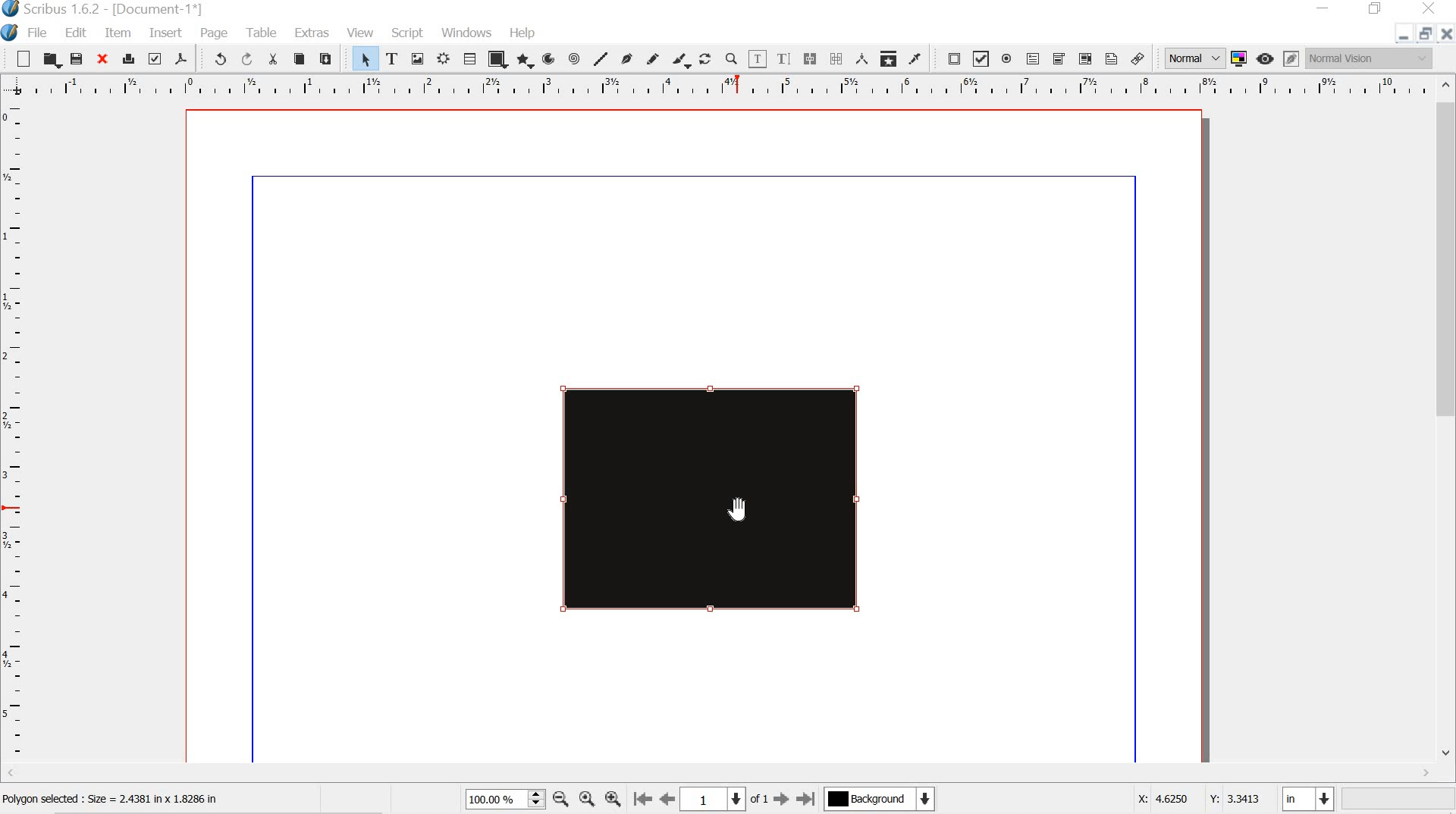 The height and width of the screenshot is (814, 1456). What do you see at coordinates (262, 31) in the screenshot?
I see `tools` at bounding box center [262, 31].